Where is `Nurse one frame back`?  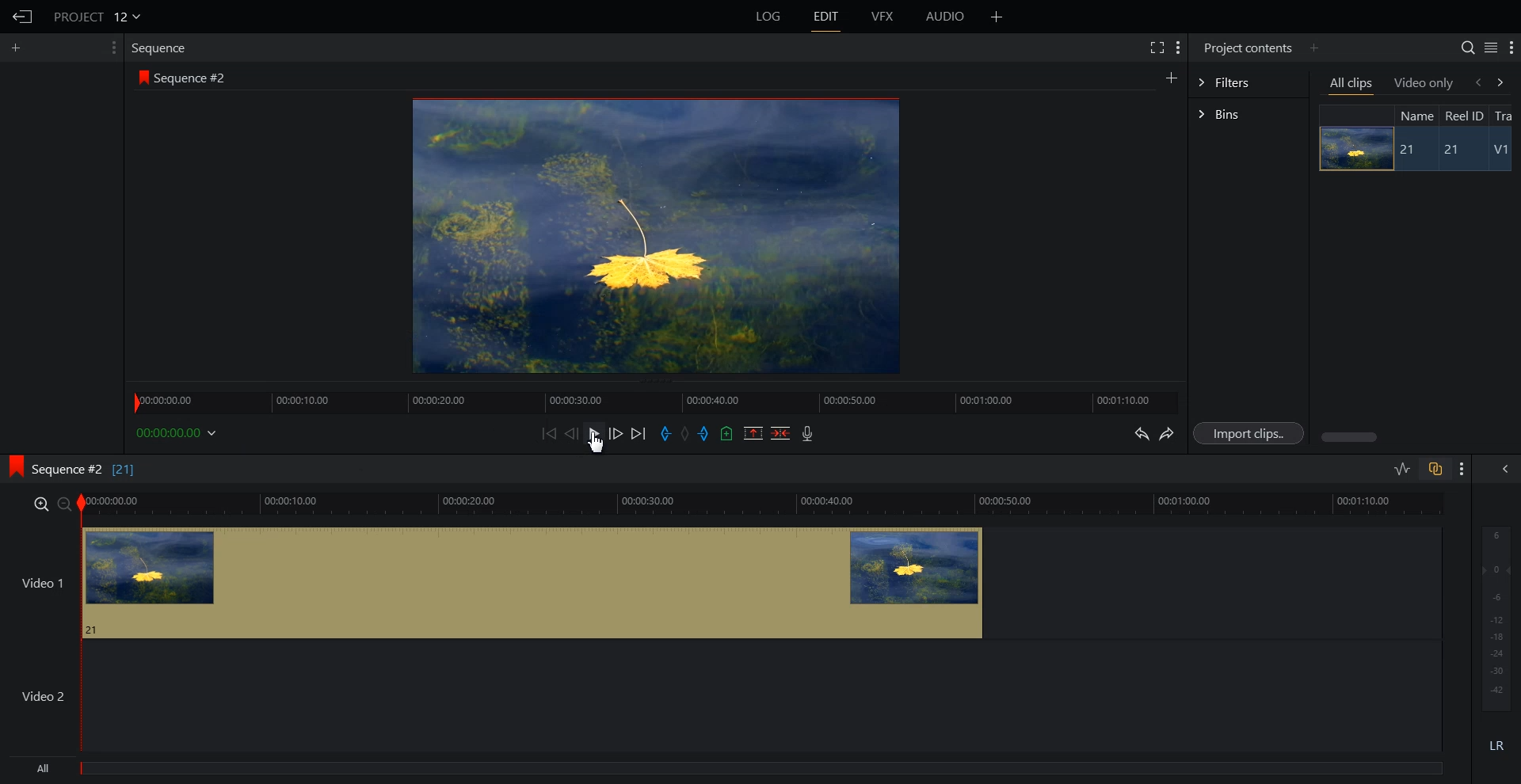
Nurse one frame back is located at coordinates (572, 433).